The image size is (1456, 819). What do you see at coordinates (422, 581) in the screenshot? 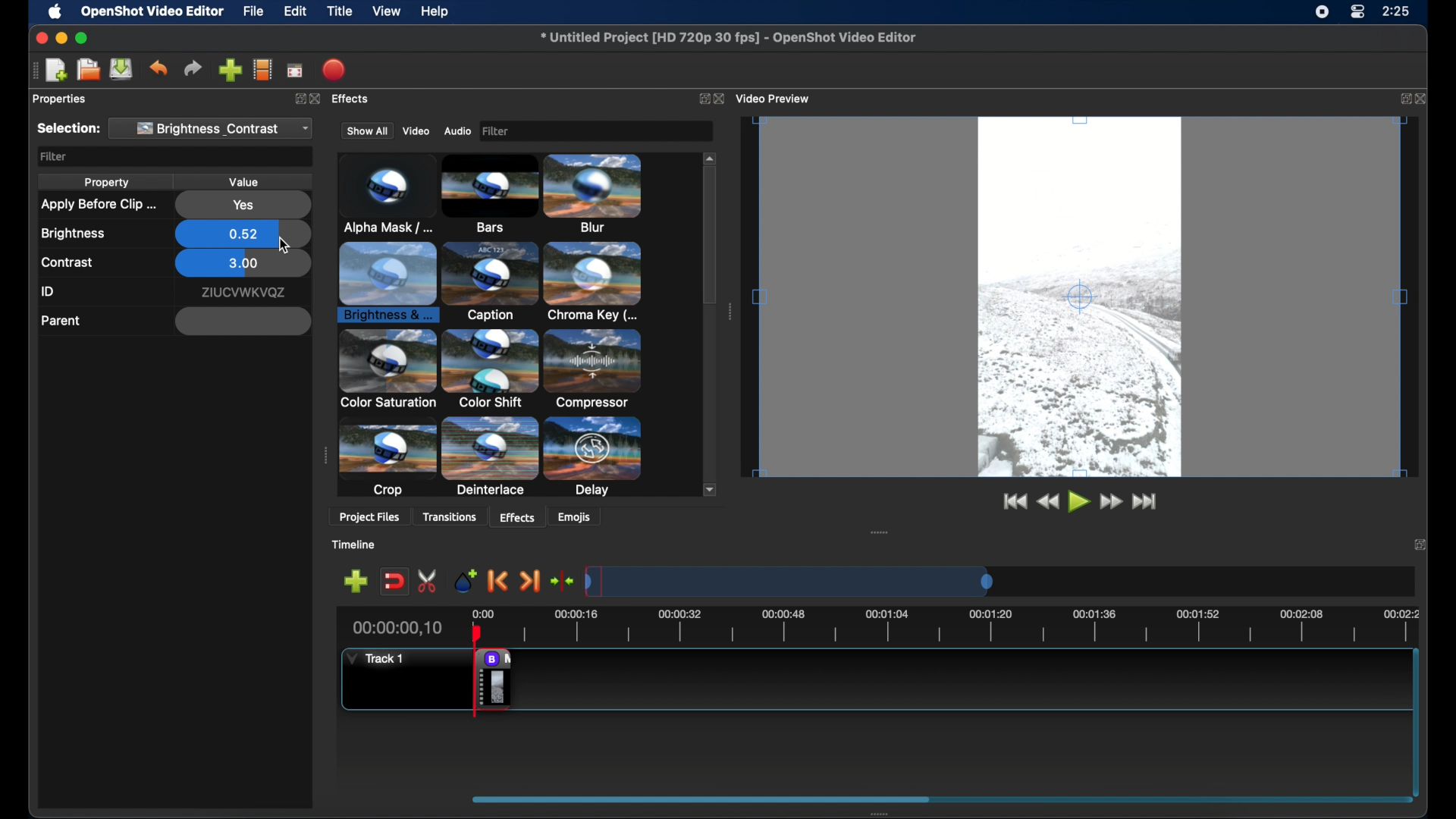
I see `enable razor` at bounding box center [422, 581].